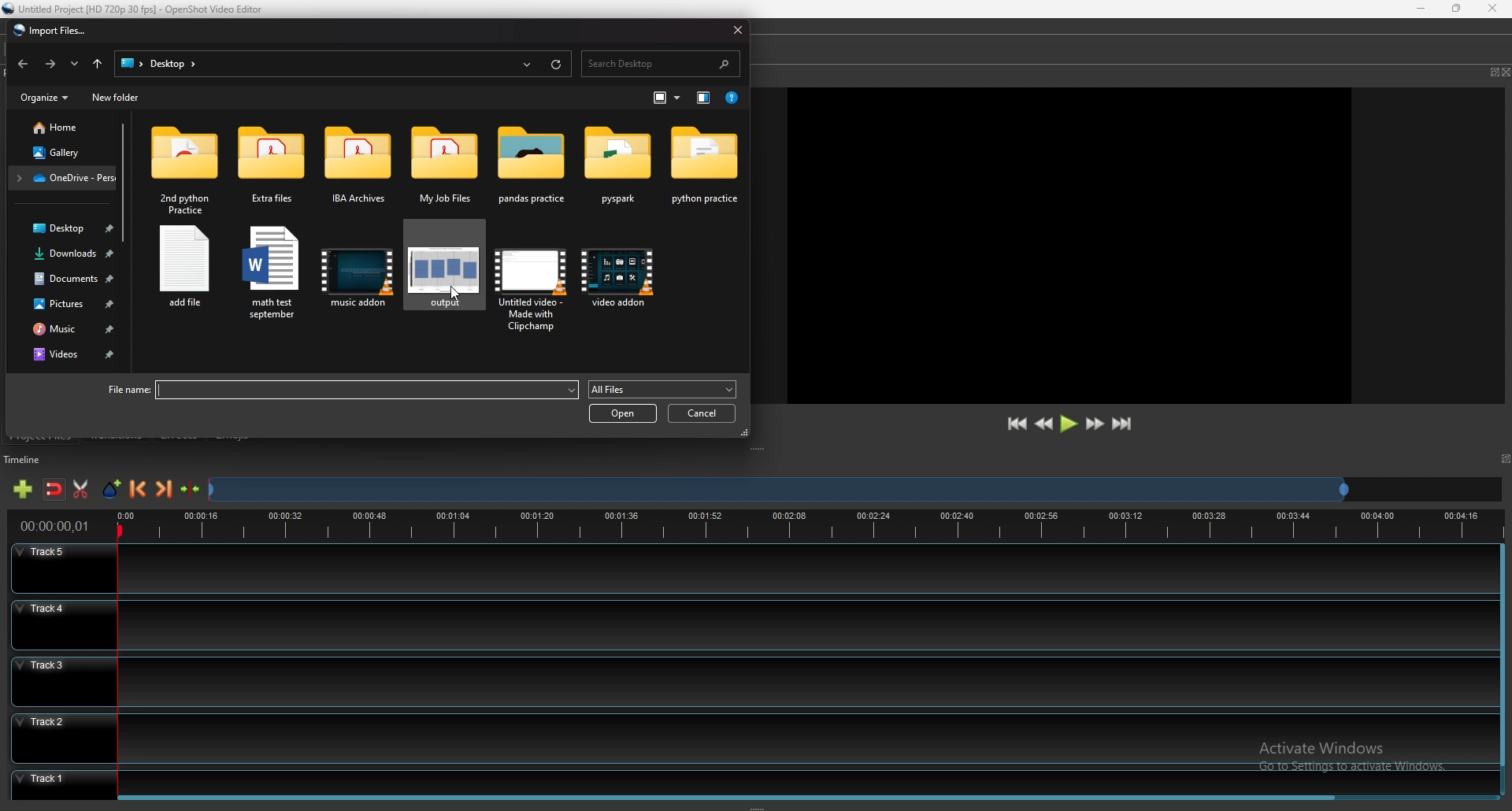 The width and height of the screenshot is (1512, 811). I want to click on file name, so click(139, 8).